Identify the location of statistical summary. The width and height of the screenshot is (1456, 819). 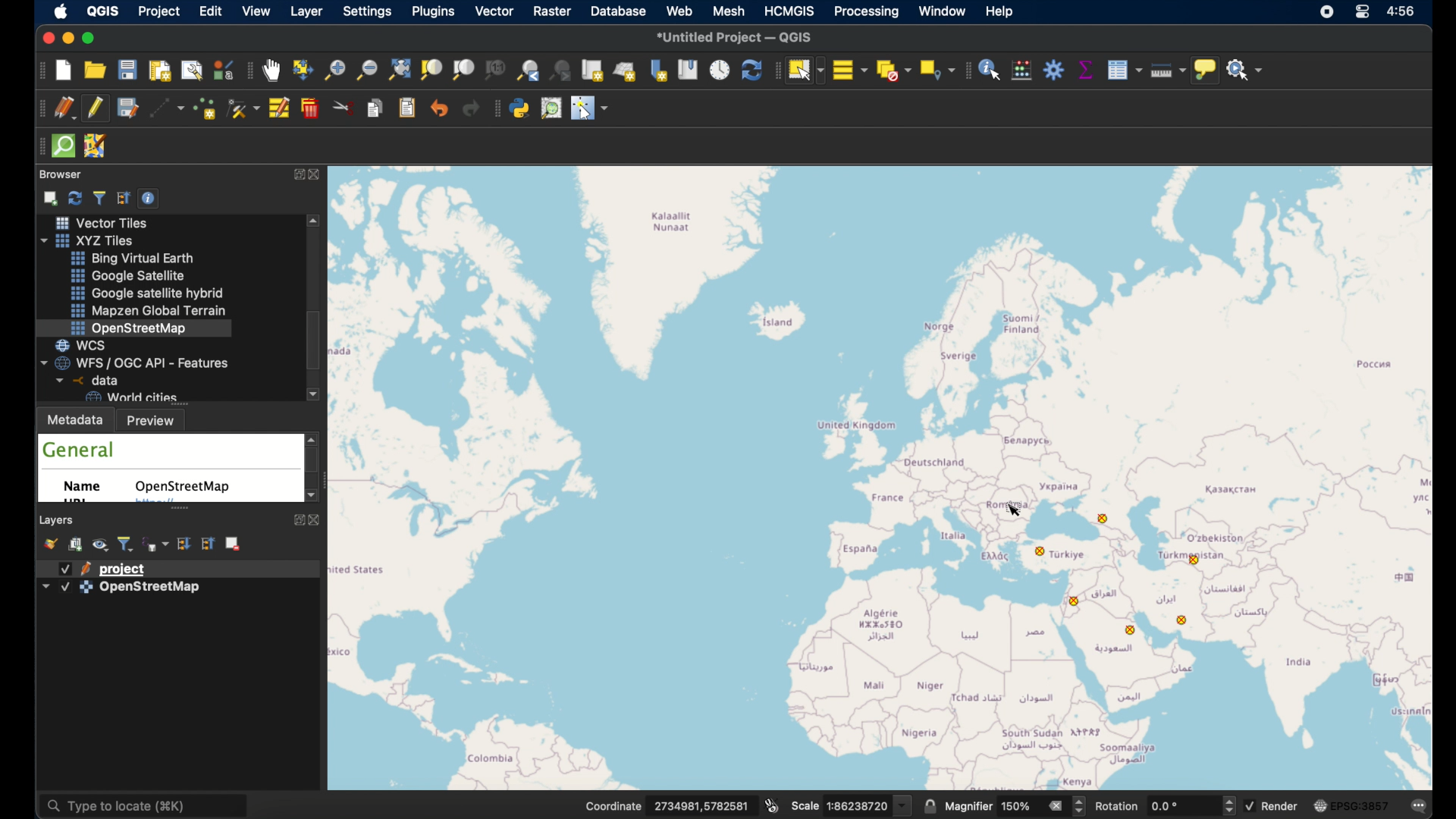
(1084, 70).